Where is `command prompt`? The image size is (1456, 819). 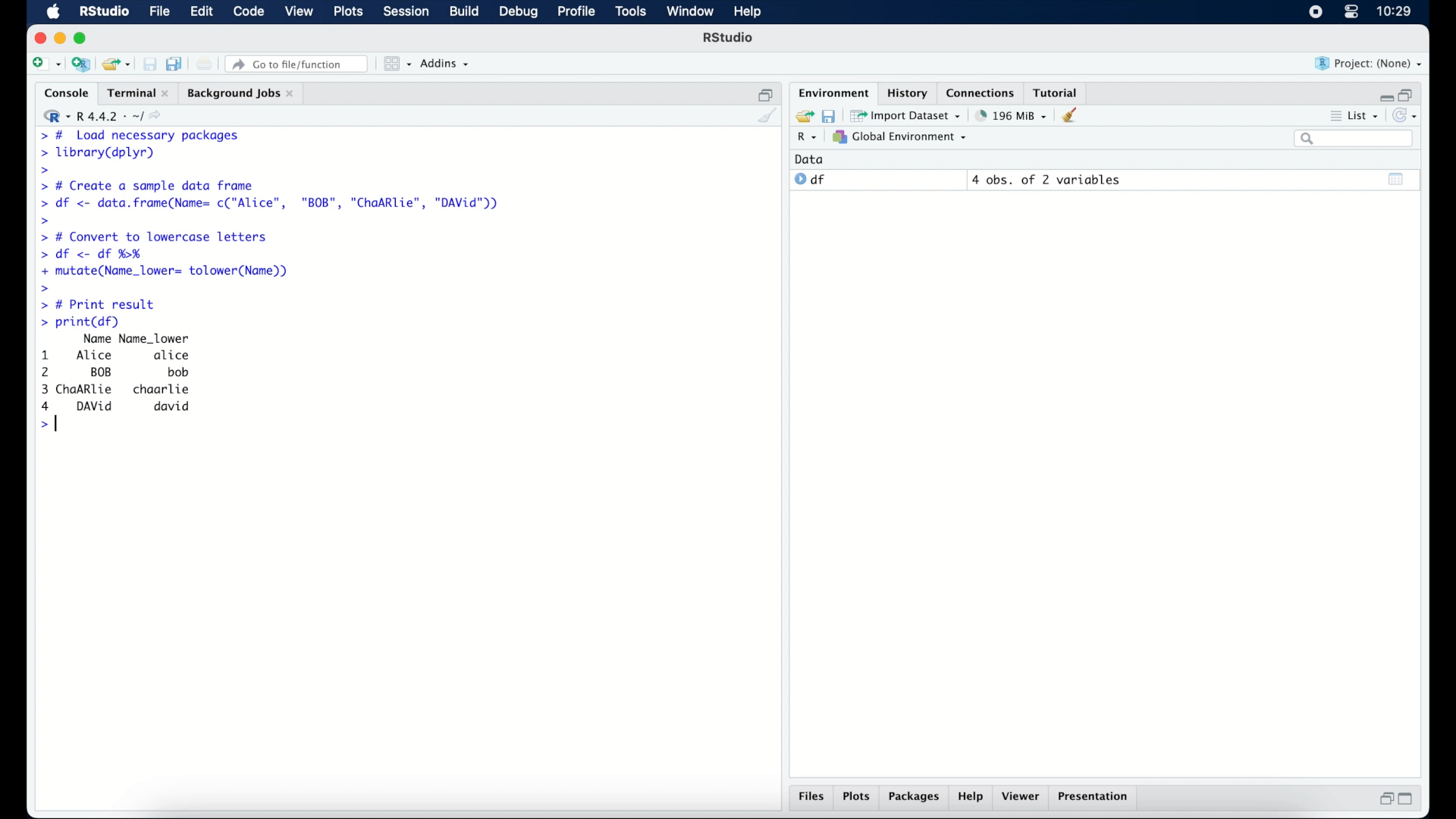
command prompt is located at coordinates (42, 171).